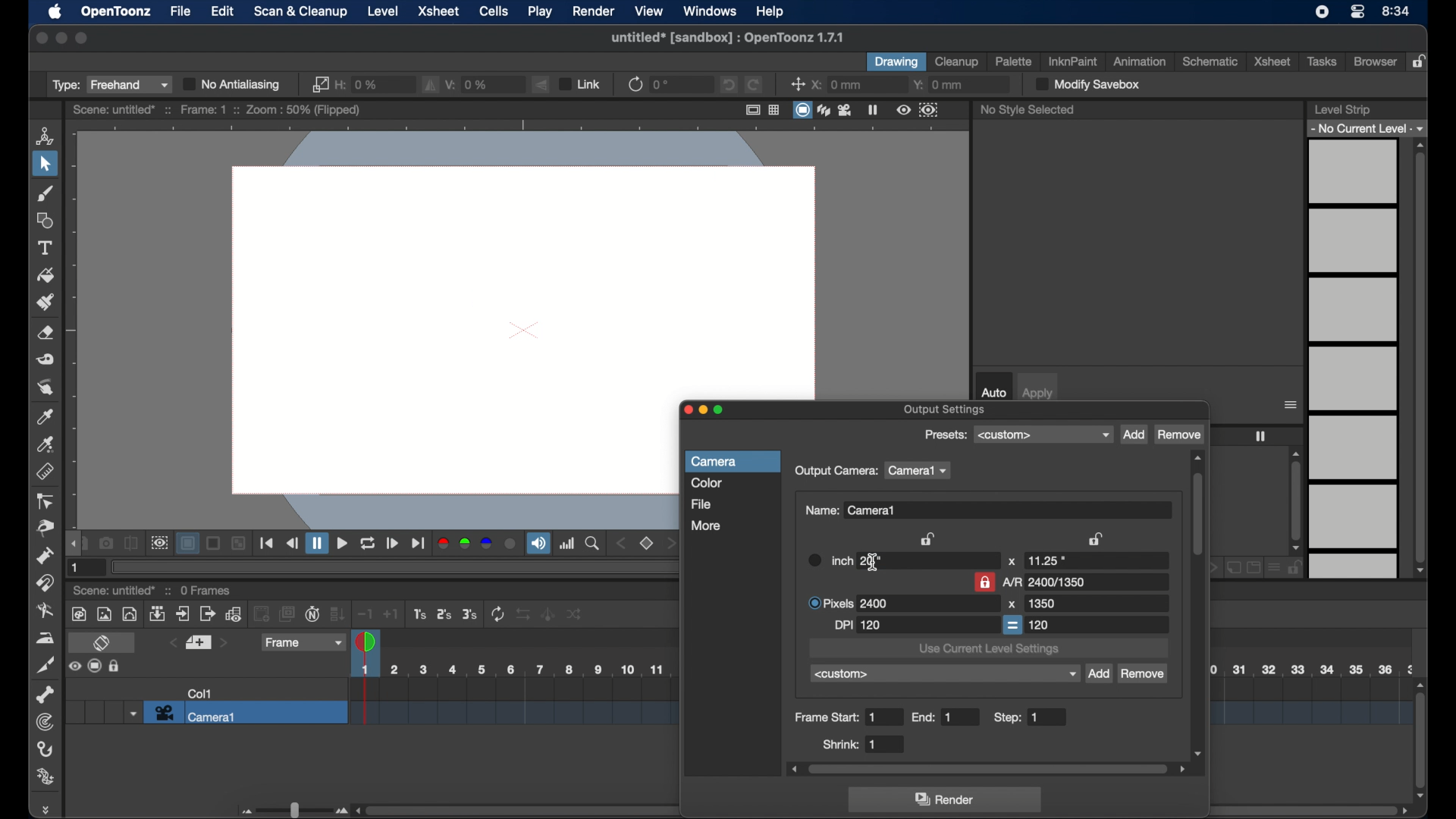  I want to click on , so click(368, 543).